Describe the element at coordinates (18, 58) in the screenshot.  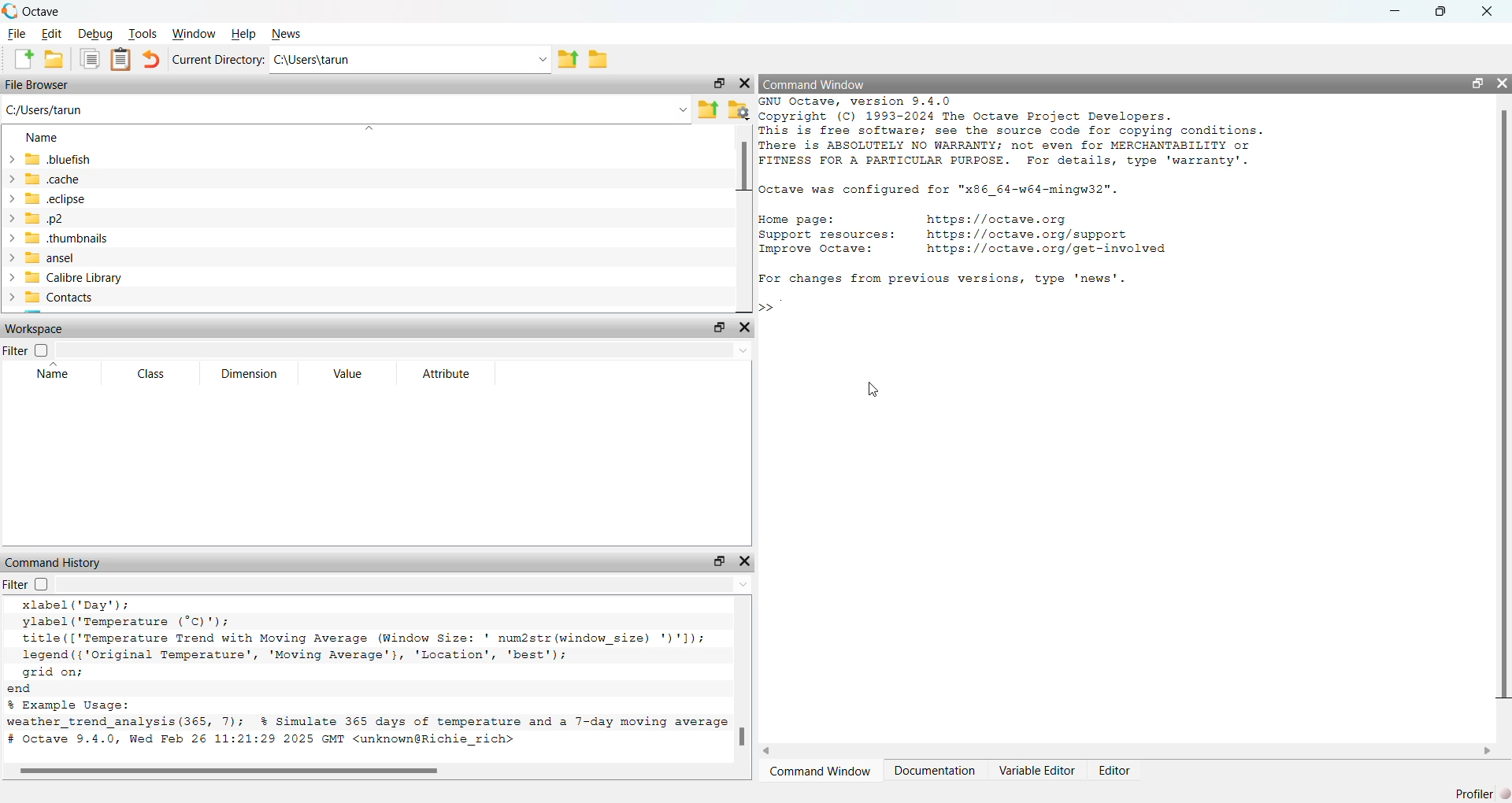
I see `add` at that location.